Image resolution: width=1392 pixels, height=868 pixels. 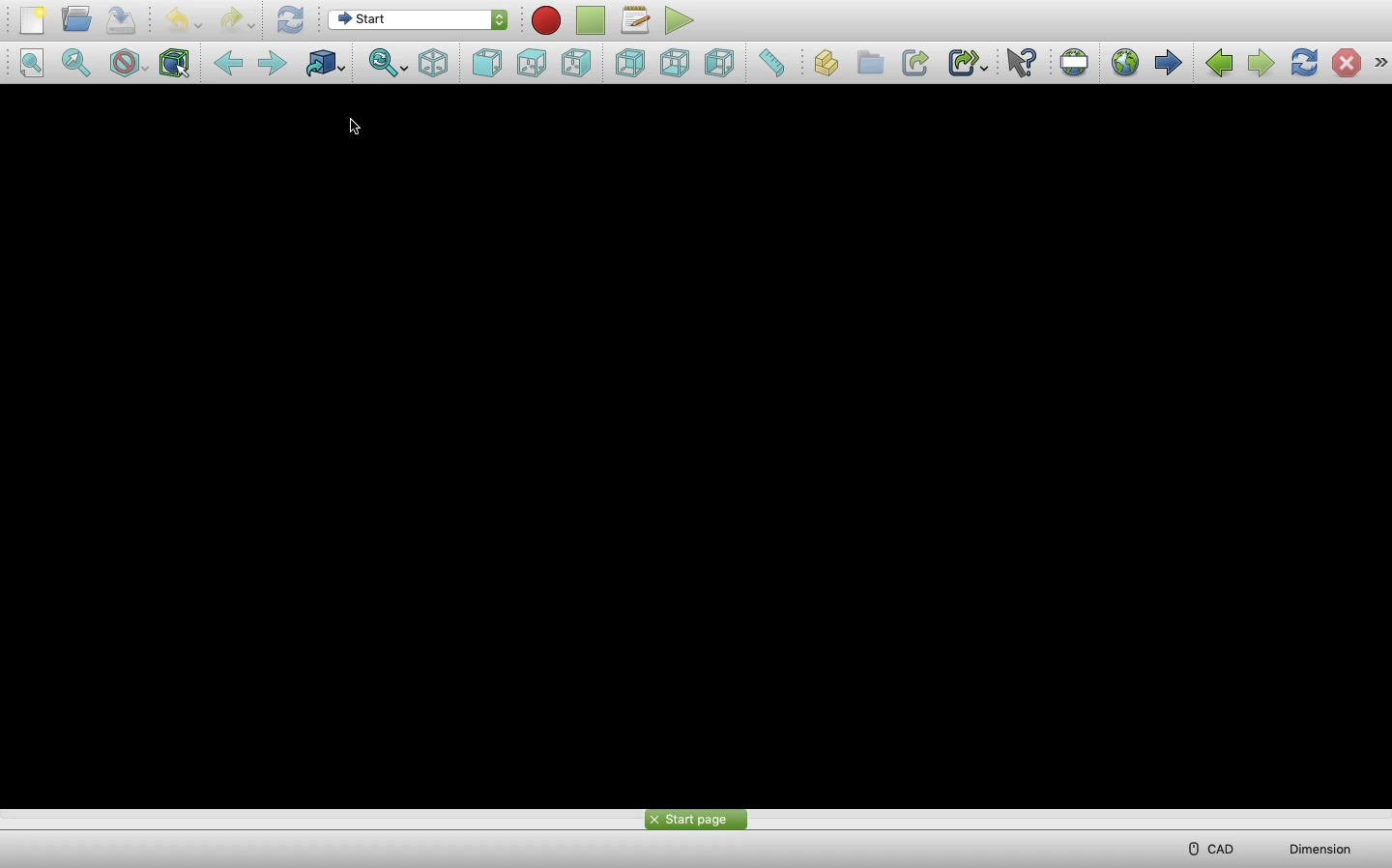 I want to click on CAD, so click(x=1215, y=848).